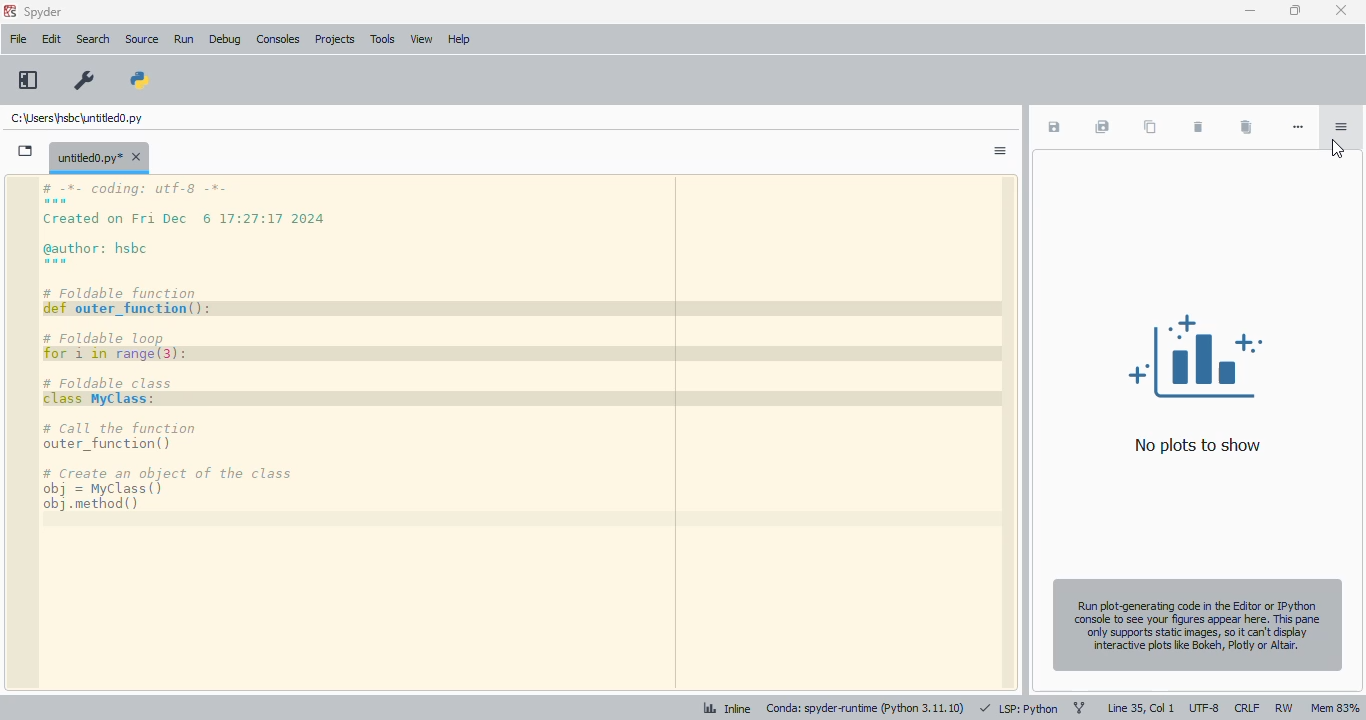 Image resolution: width=1366 pixels, height=720 pixels. What do you see at coordinates (93, 39) in the screenshot?
I see `search` at bounding box center [93, 39].